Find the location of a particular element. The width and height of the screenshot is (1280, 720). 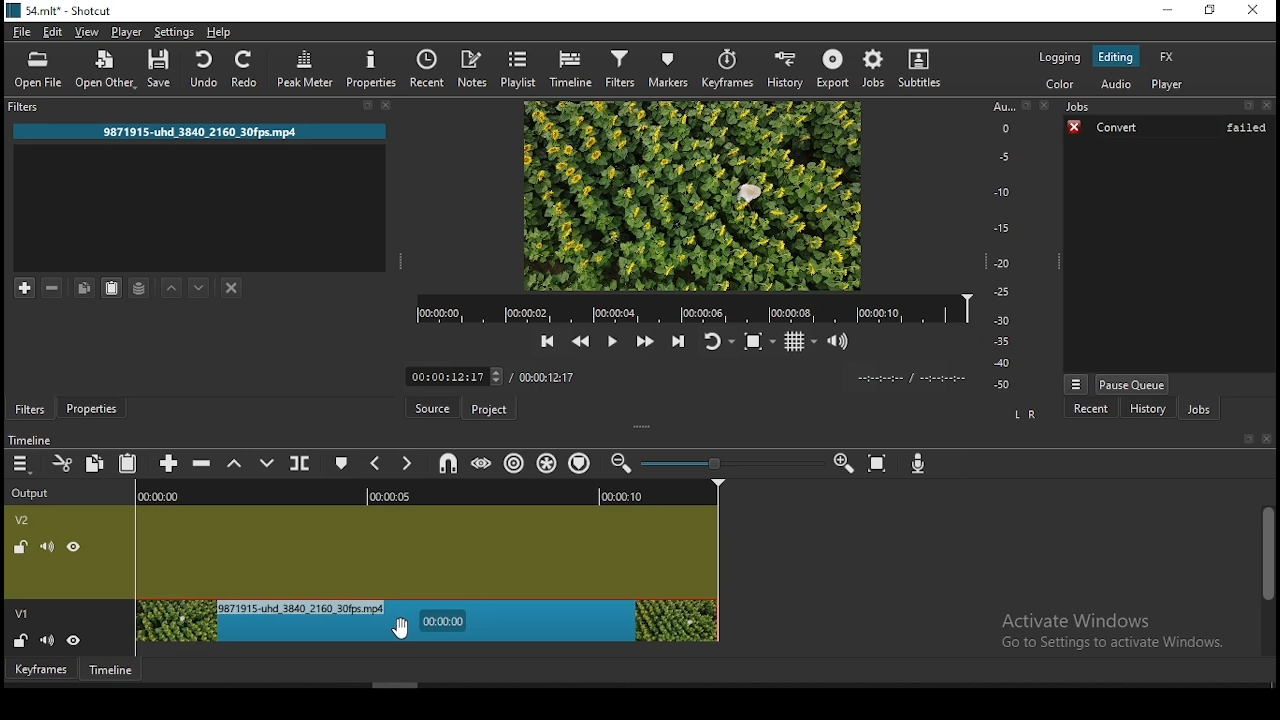

history is located at coordinates (785, 66).